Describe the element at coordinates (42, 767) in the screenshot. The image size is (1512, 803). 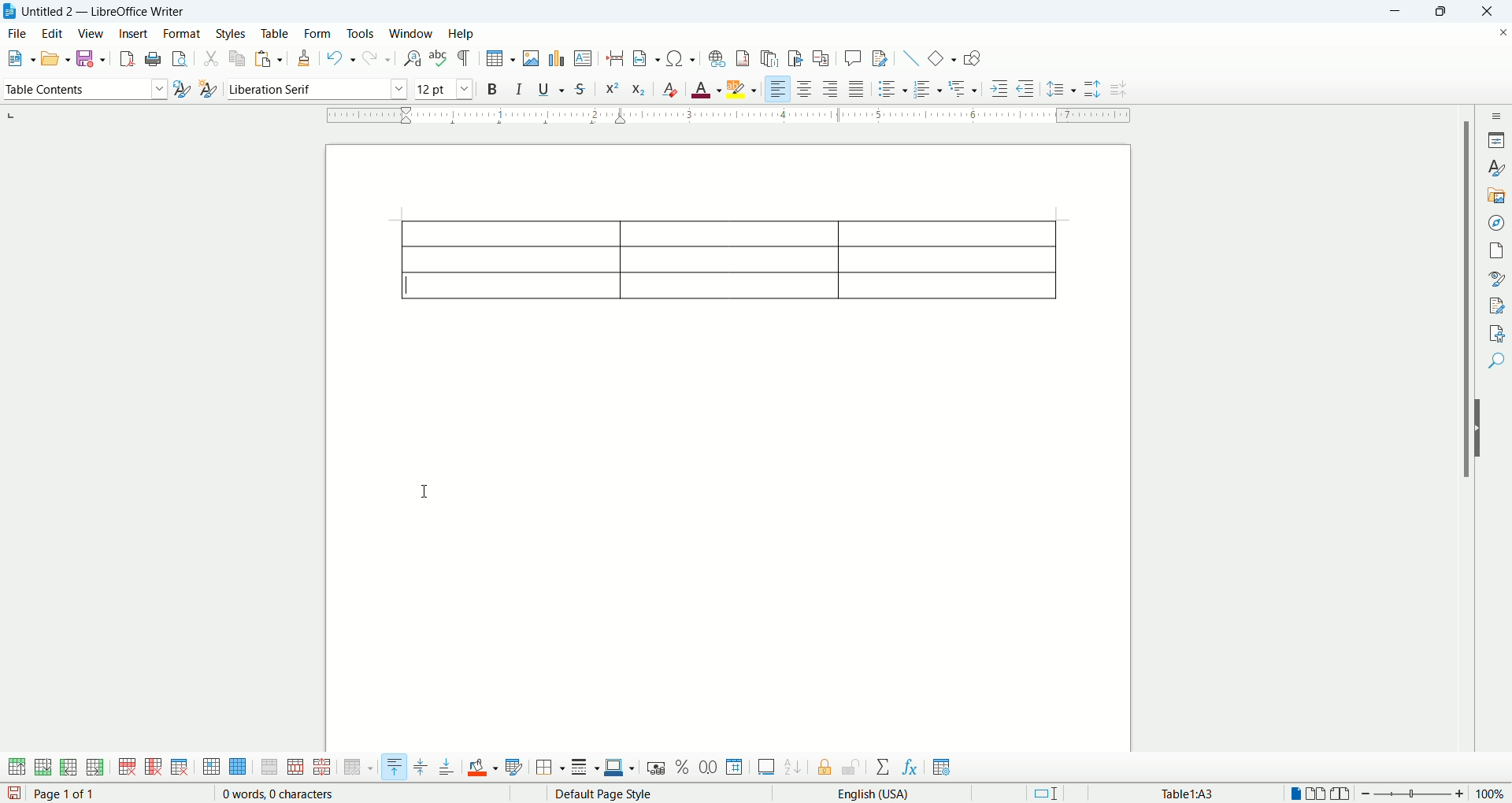
I see `add rows below` at that location.